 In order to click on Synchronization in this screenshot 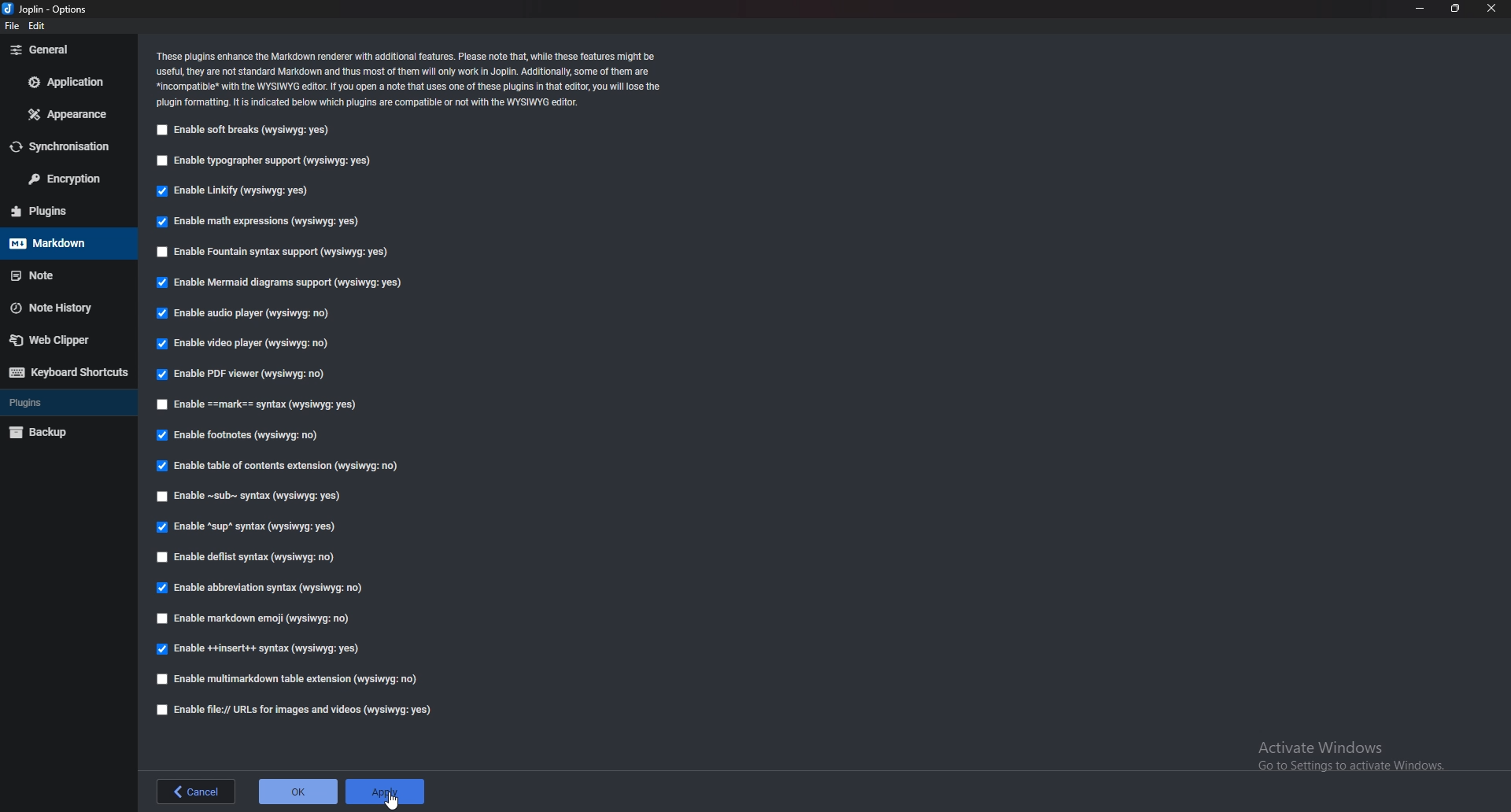, I will do `click(69, 144)`.